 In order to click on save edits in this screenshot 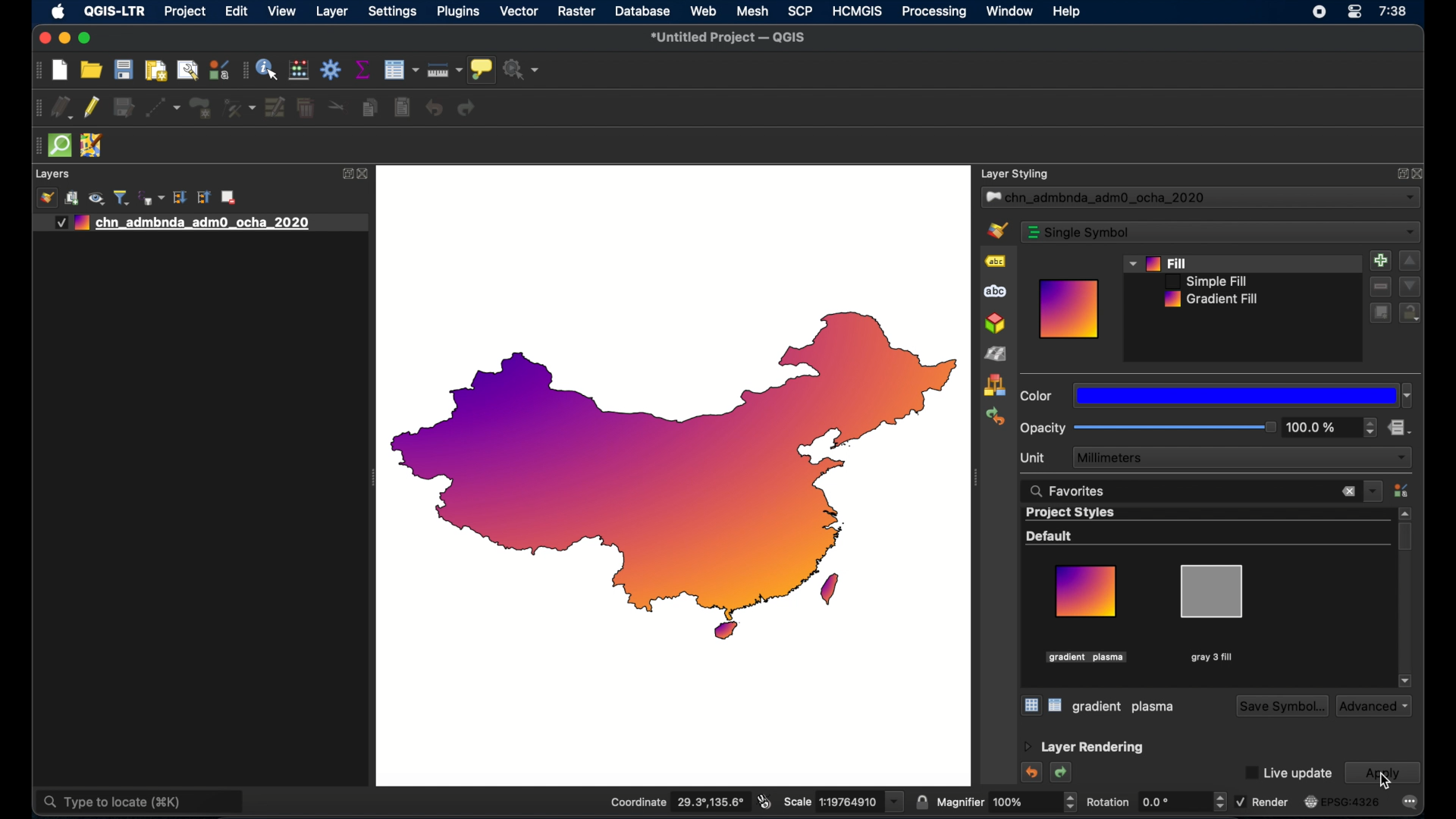, I will do `click(124, 108)`.